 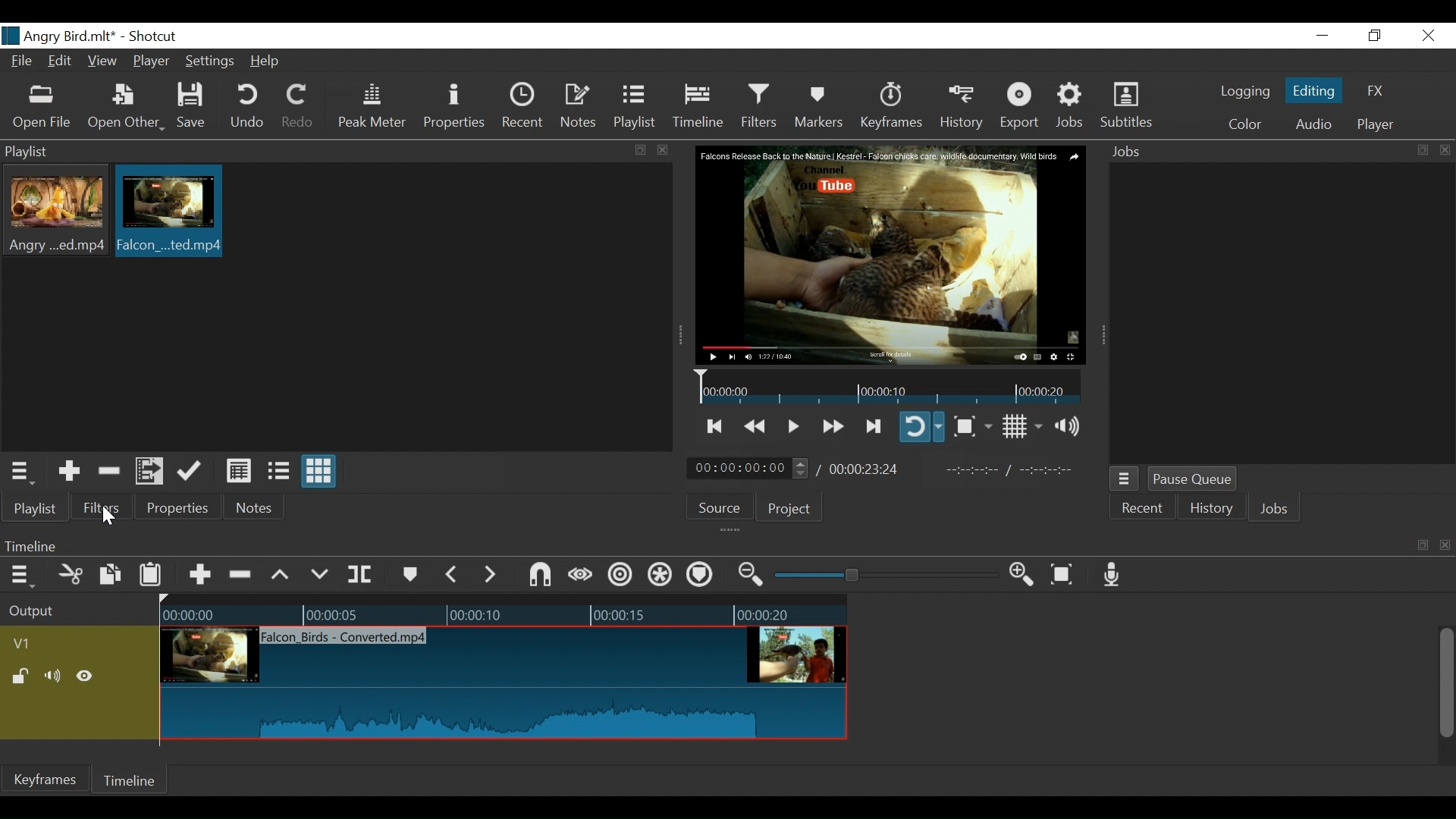 I want to click on Remove Cut, so click(x=111, y=471).